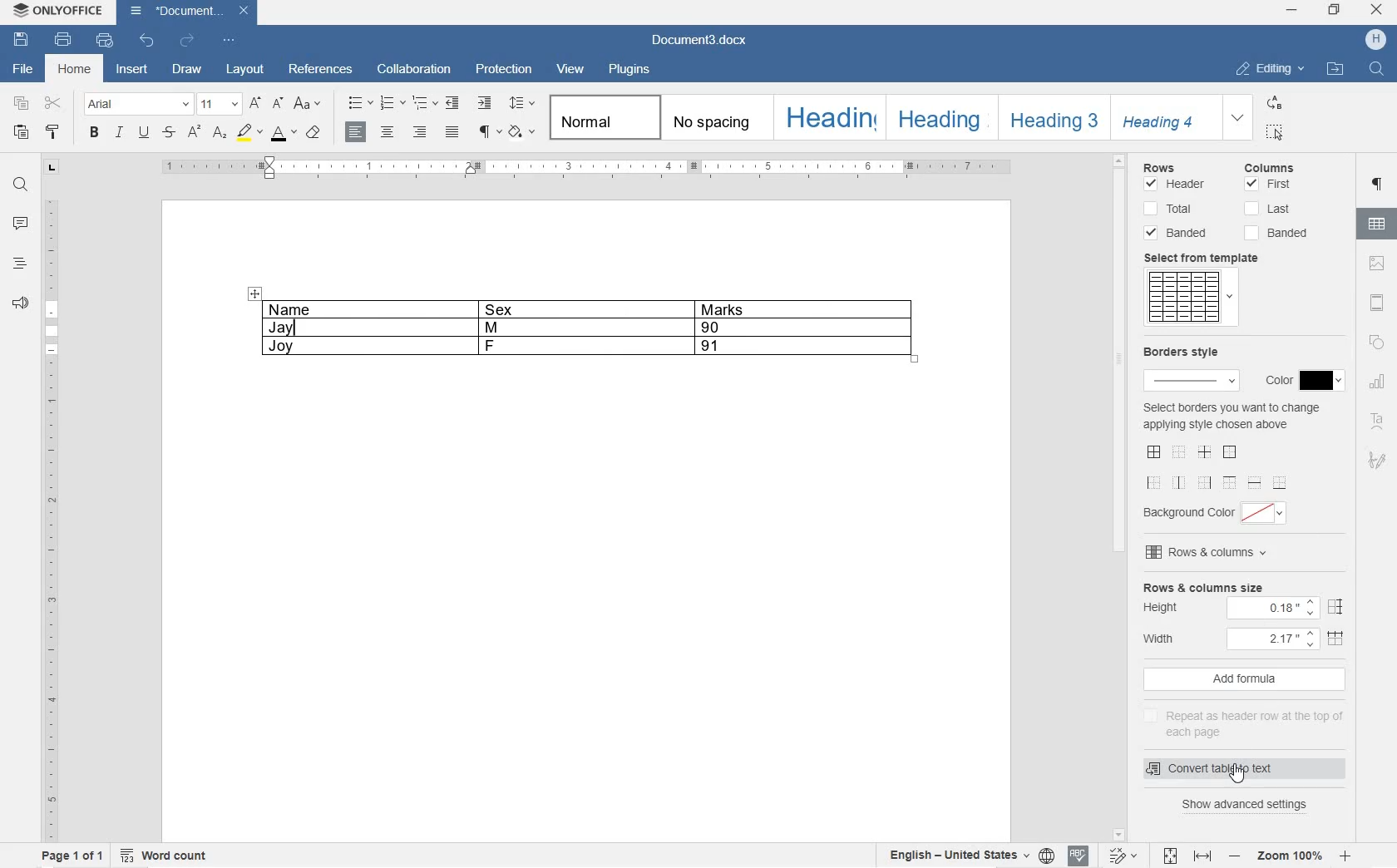 This screenshot has width=1397, height=868. Describe the element at coordinates (314, 134) in the screenshot. I see `COPY STYLE` at that location.